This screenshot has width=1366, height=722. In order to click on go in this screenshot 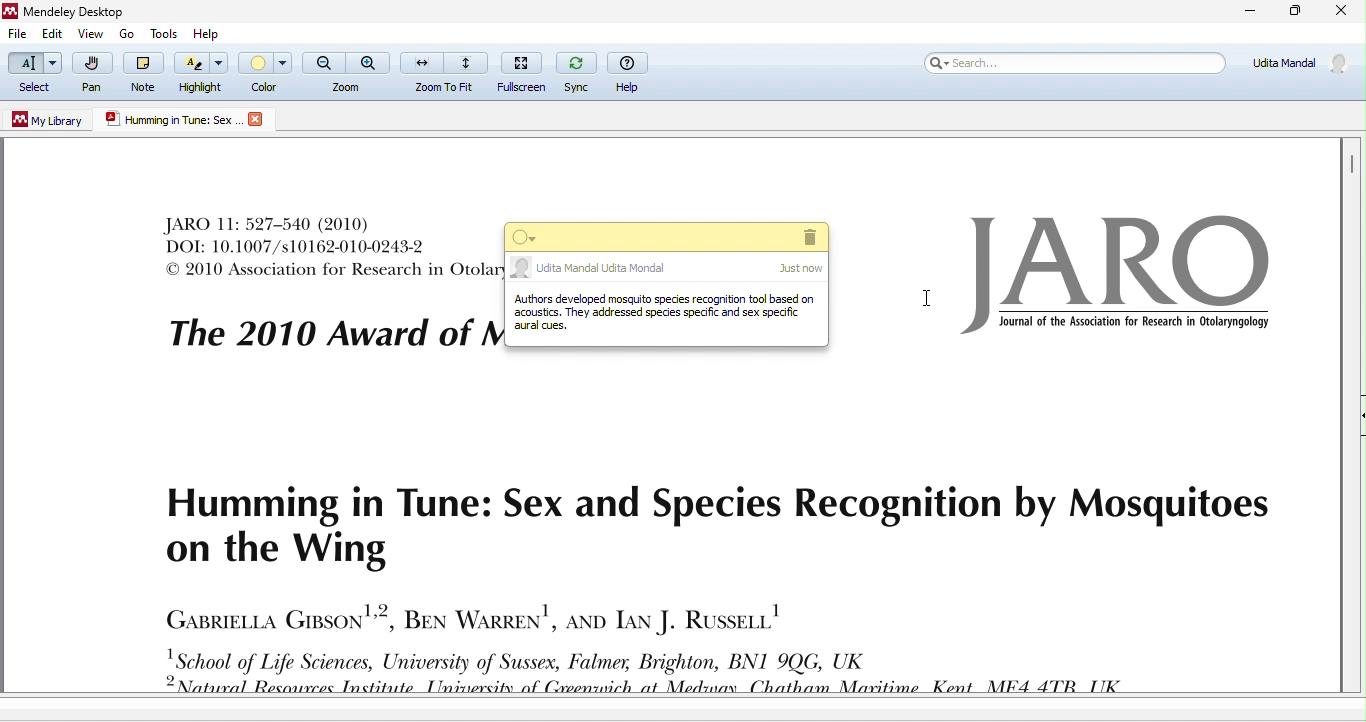, I will do `click(124, 34)`.